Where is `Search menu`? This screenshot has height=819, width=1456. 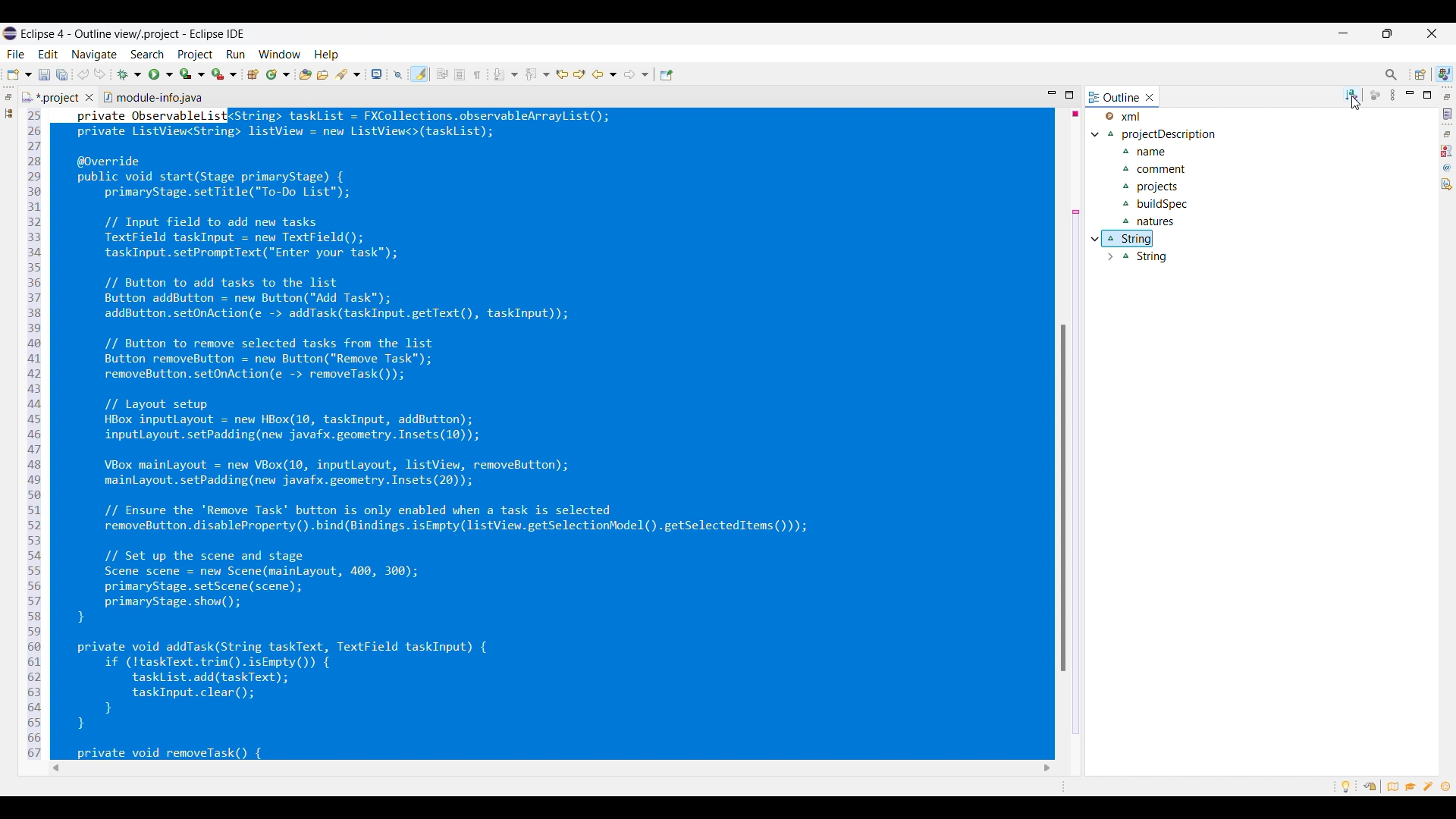
Search menu is located at coordinates (148, 55).